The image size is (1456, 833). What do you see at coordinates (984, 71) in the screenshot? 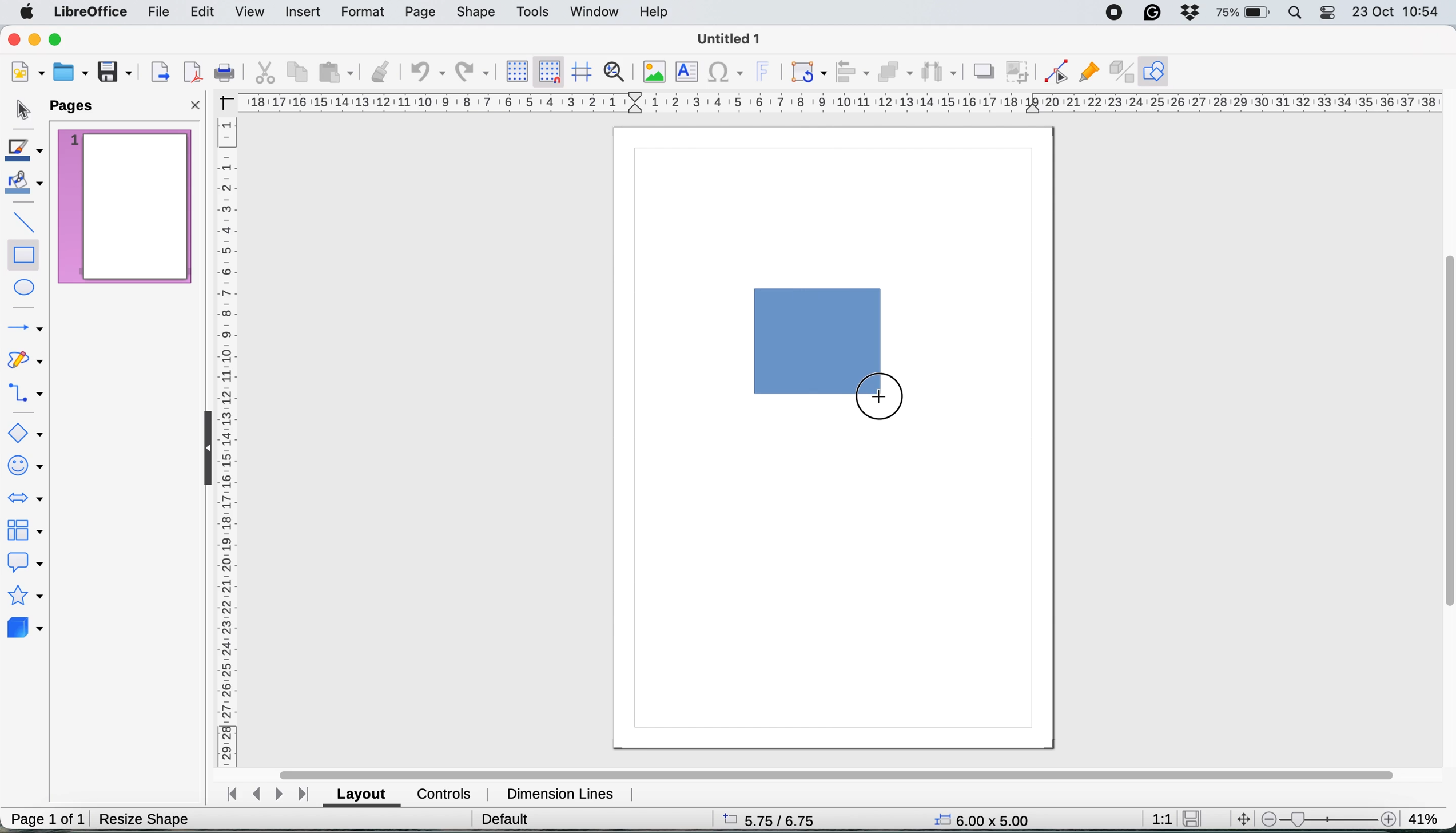
I see `shadow` at bounding box center [984, 71].